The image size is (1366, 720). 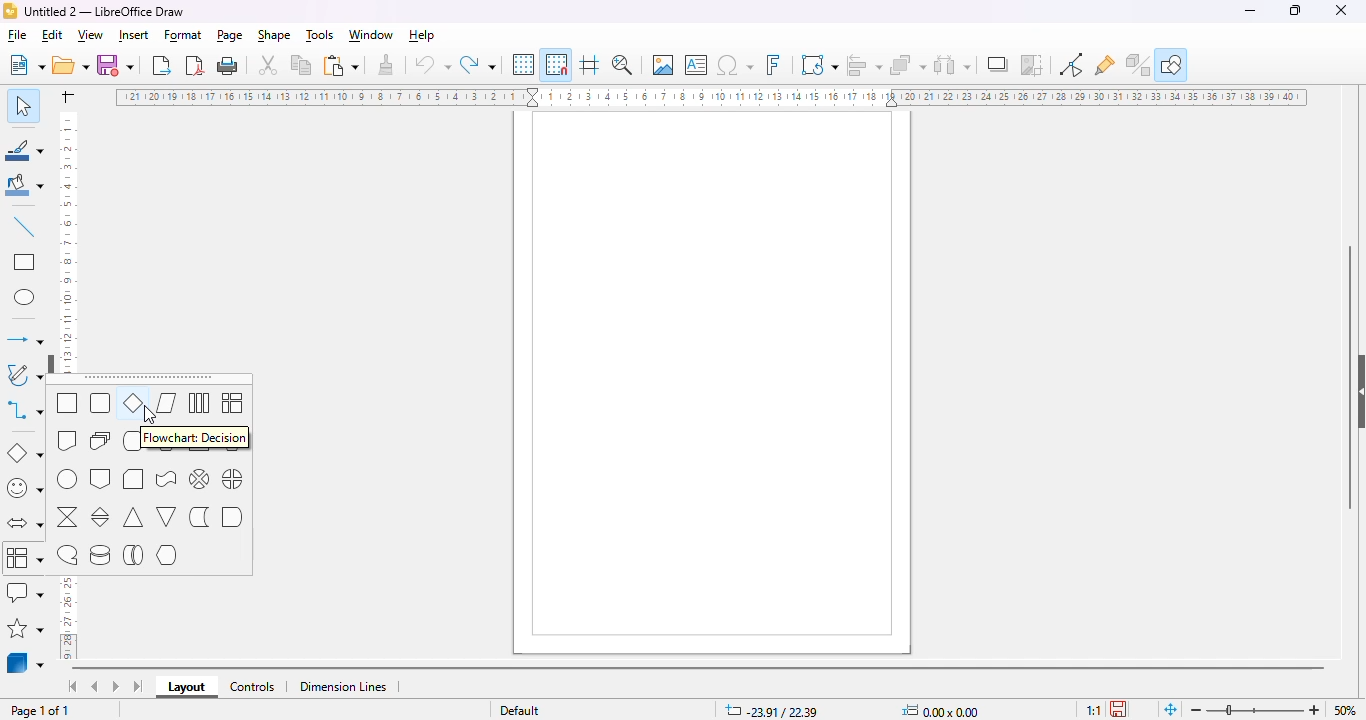 What do you see at coordinates (1250, 10) in the screenshot?
I see `minimize` at bounding box center [1250, 10].